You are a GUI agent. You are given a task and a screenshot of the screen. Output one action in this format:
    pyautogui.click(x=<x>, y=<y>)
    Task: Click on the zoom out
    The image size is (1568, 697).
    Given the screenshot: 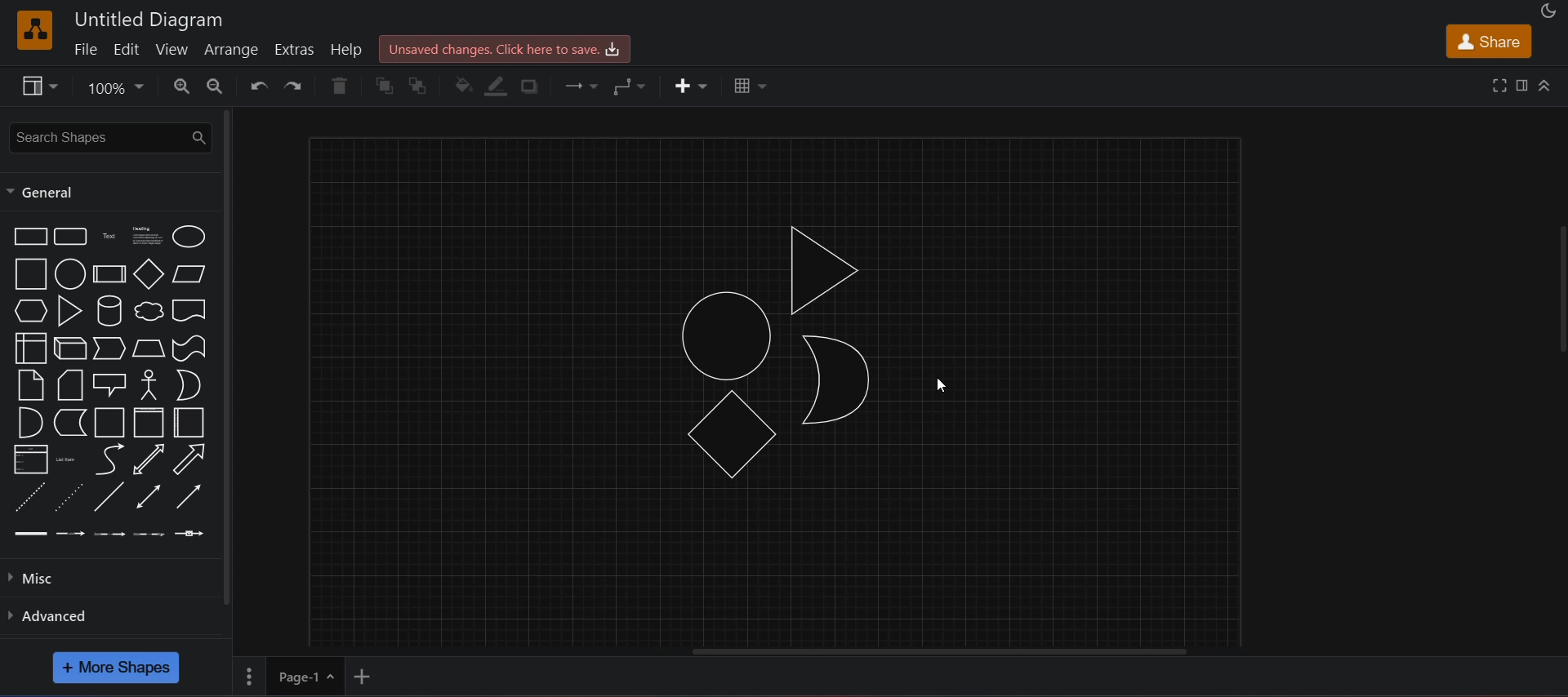 What is the action you would take?
    pyautogui.click(x=217, y=86)
    